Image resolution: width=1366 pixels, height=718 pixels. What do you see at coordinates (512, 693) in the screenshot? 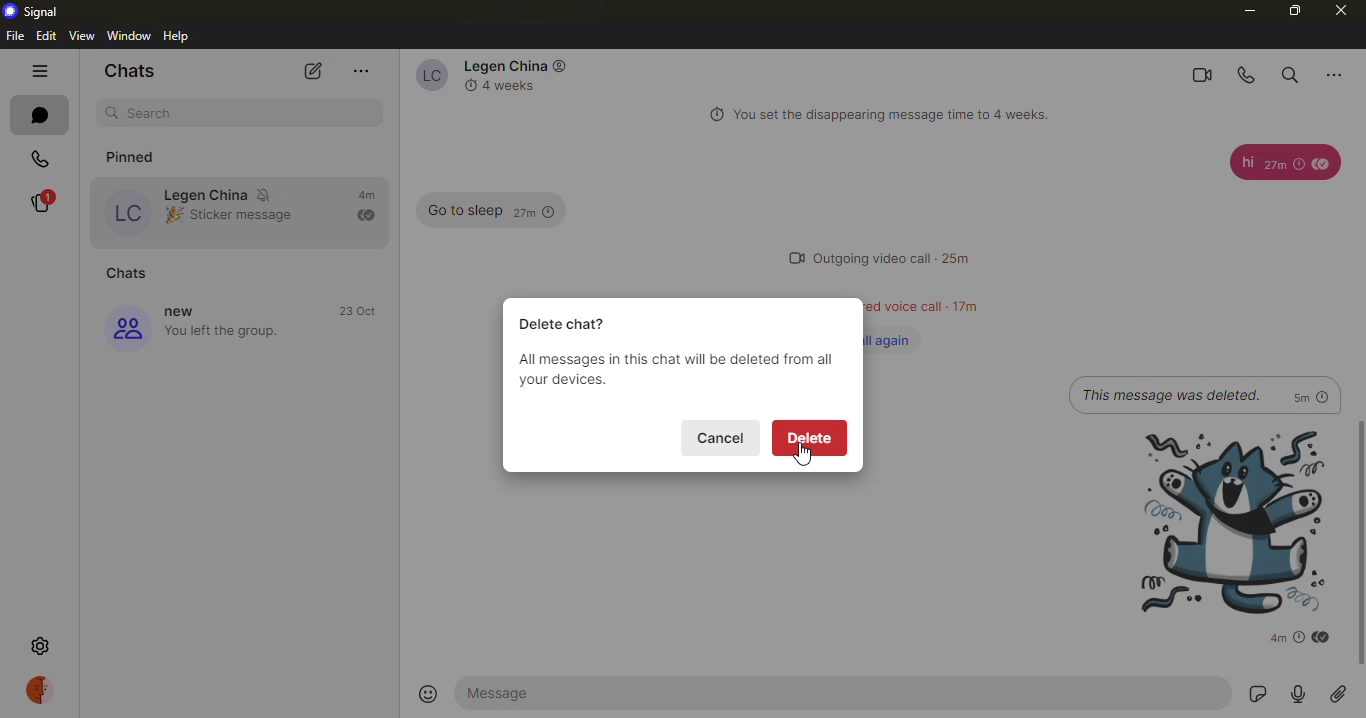
I see `message` at bounding box center [512, 693].